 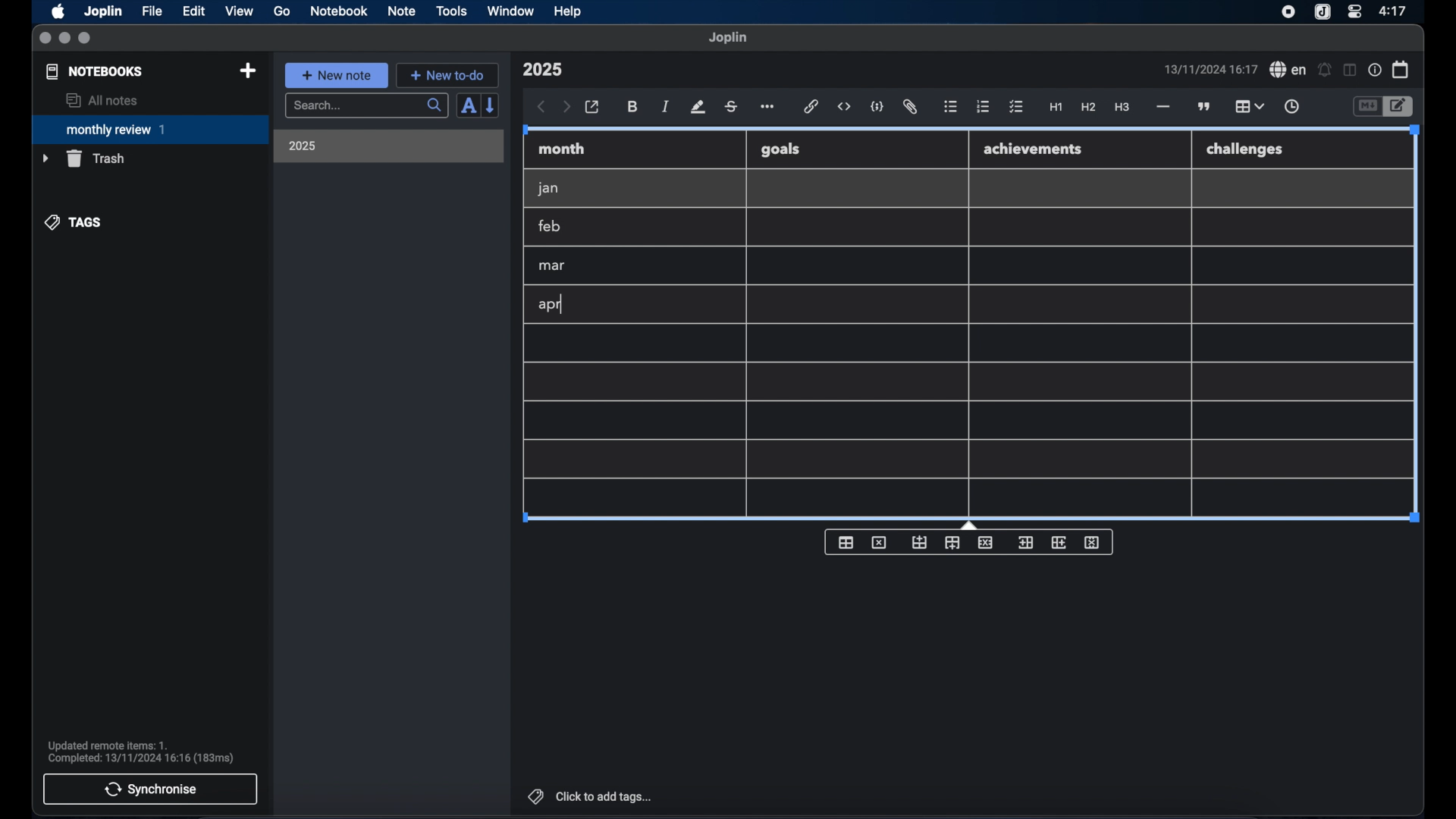 What do you see at coordinates (1325, 71) in the screenshot?
I see `set alarm` at bounding box center [1325, 71].